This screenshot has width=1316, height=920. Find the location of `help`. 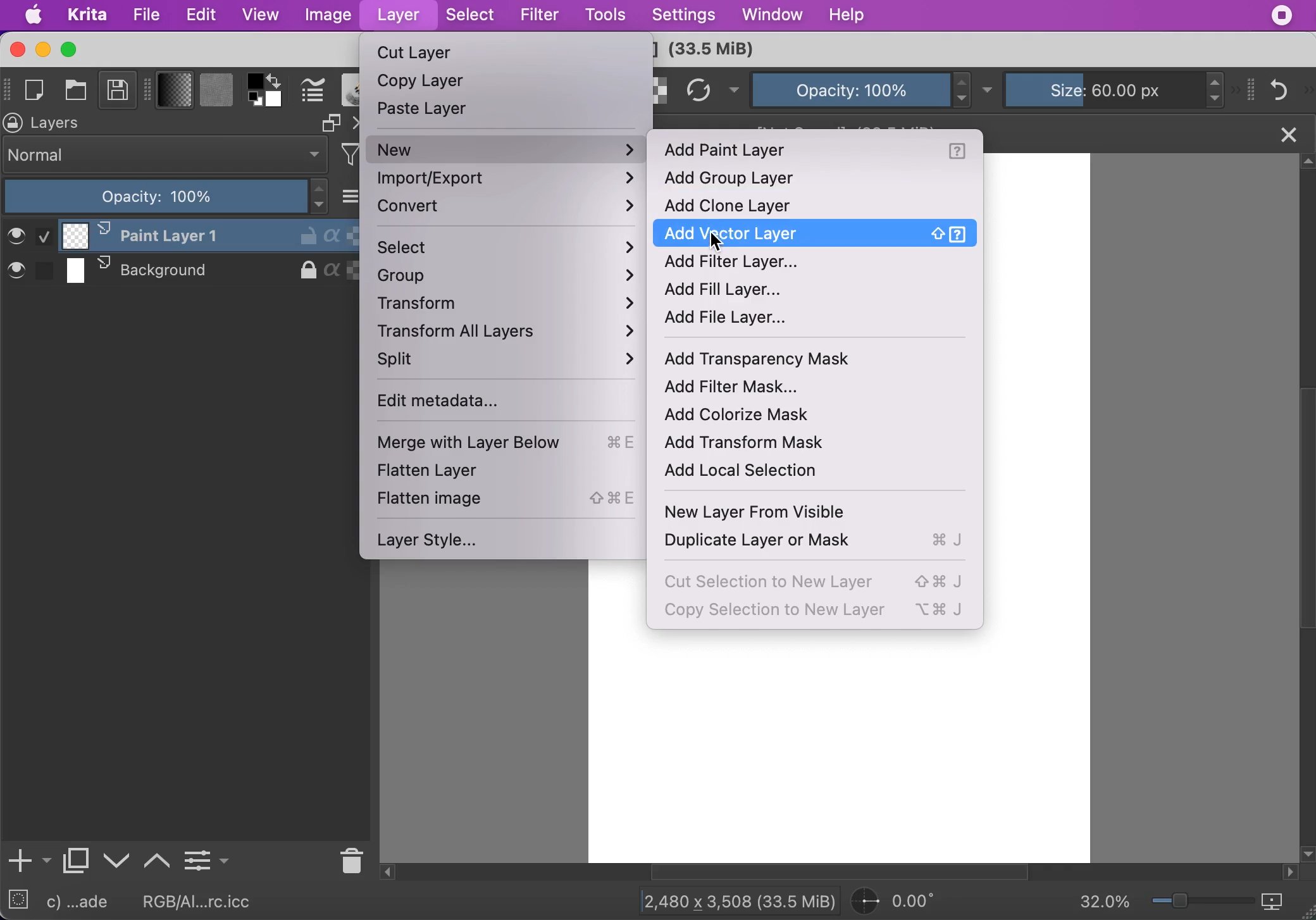

help is located at coordinates (850, 15).